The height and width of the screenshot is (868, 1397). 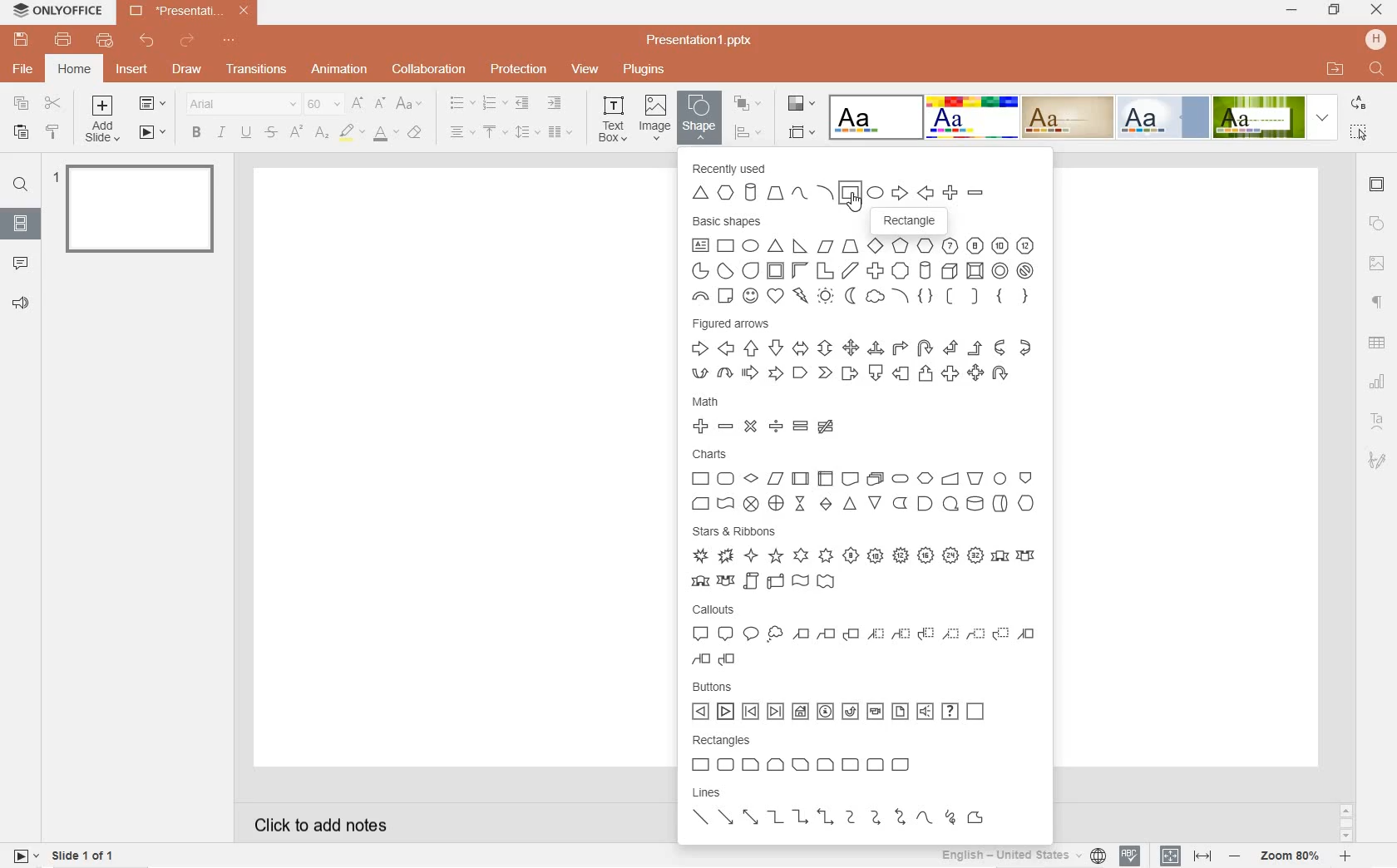 What do you see at coordinates (701, 659) in the screenshot?
I see `Line Callout 2 (border and accent bar)` at bounding box center [701, 659].